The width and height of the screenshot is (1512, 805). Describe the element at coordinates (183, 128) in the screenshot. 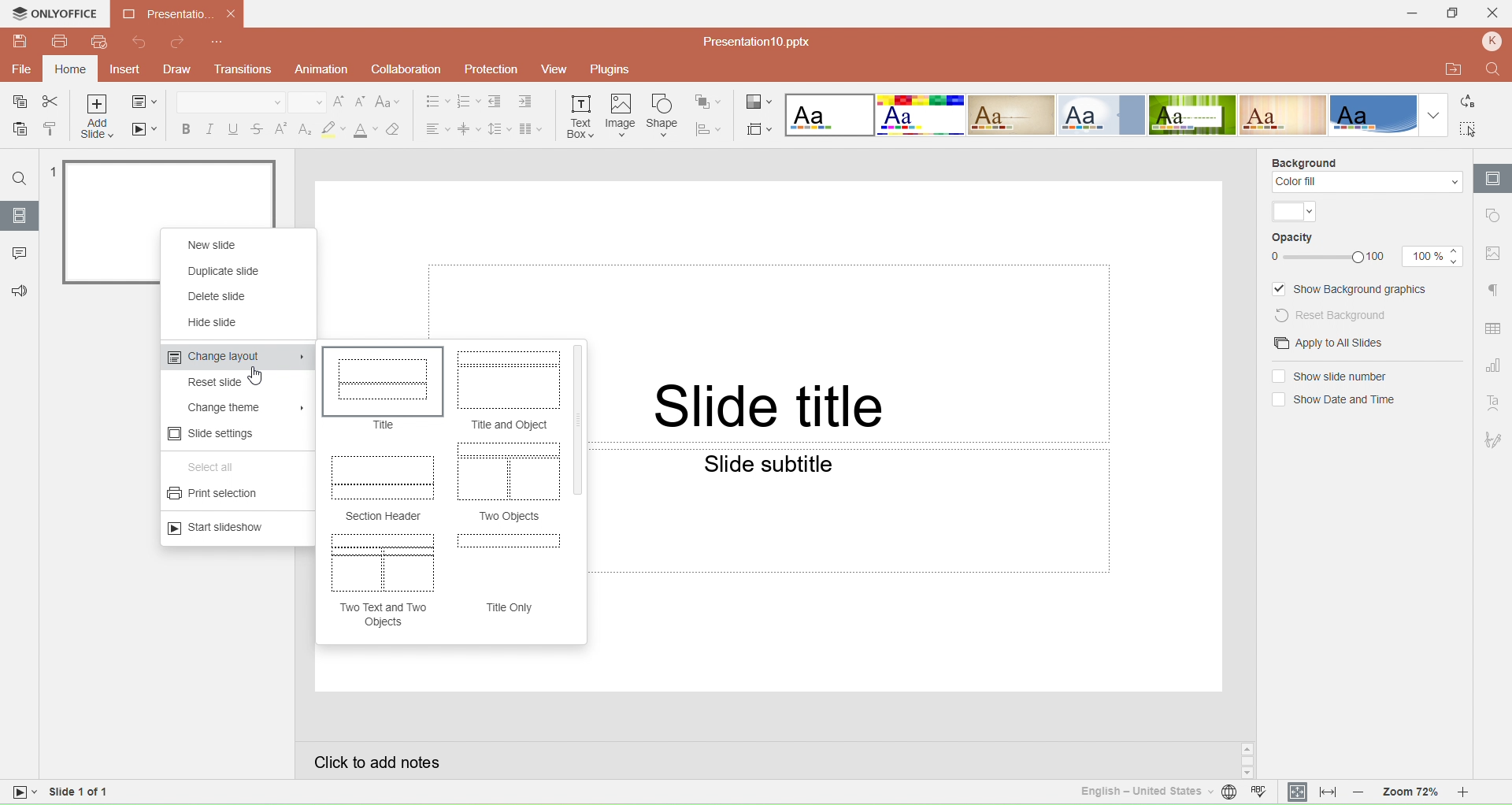

I see `Bold` at that location.